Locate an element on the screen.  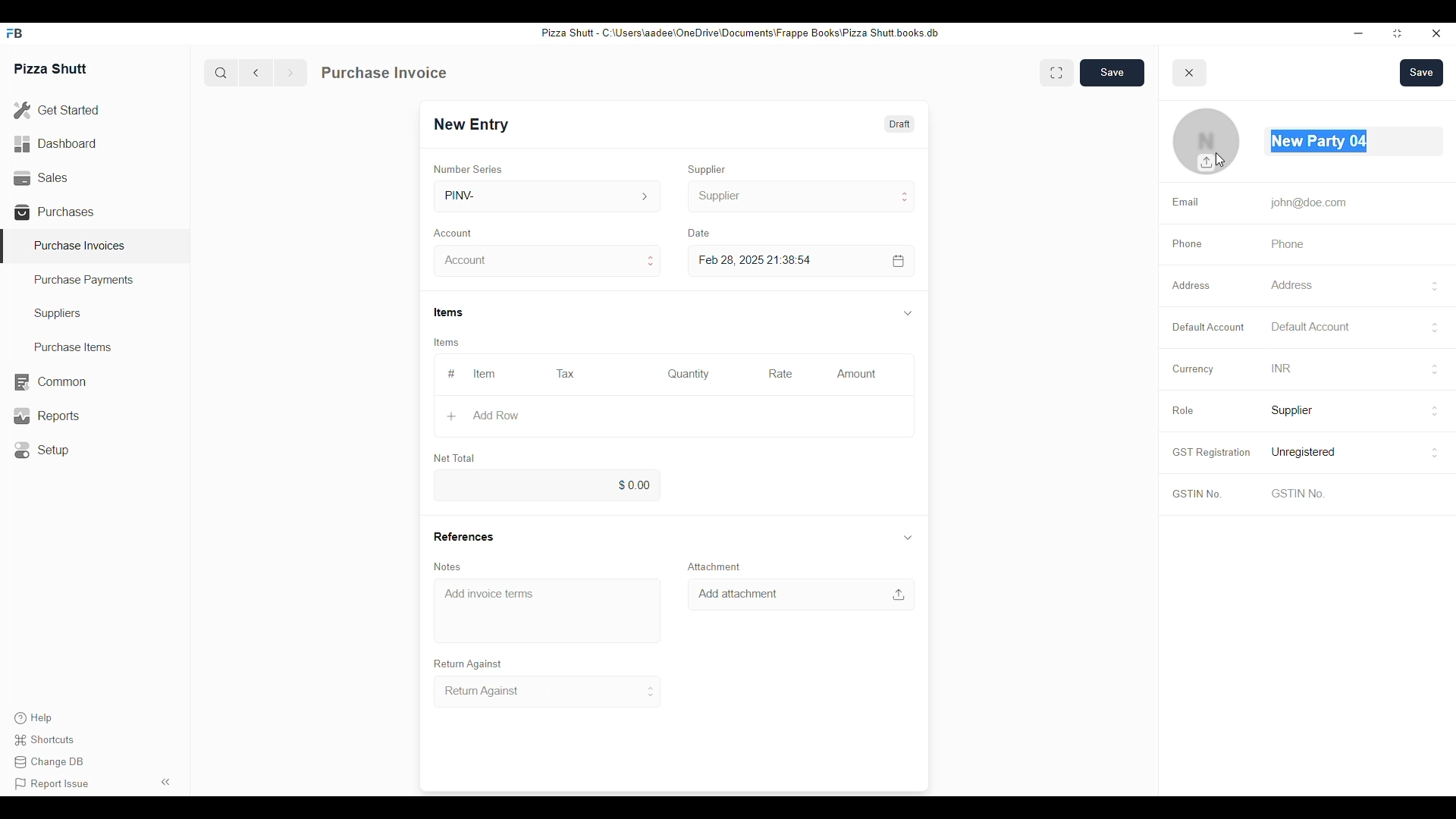
buttons is located at coordinates (1436, 413).